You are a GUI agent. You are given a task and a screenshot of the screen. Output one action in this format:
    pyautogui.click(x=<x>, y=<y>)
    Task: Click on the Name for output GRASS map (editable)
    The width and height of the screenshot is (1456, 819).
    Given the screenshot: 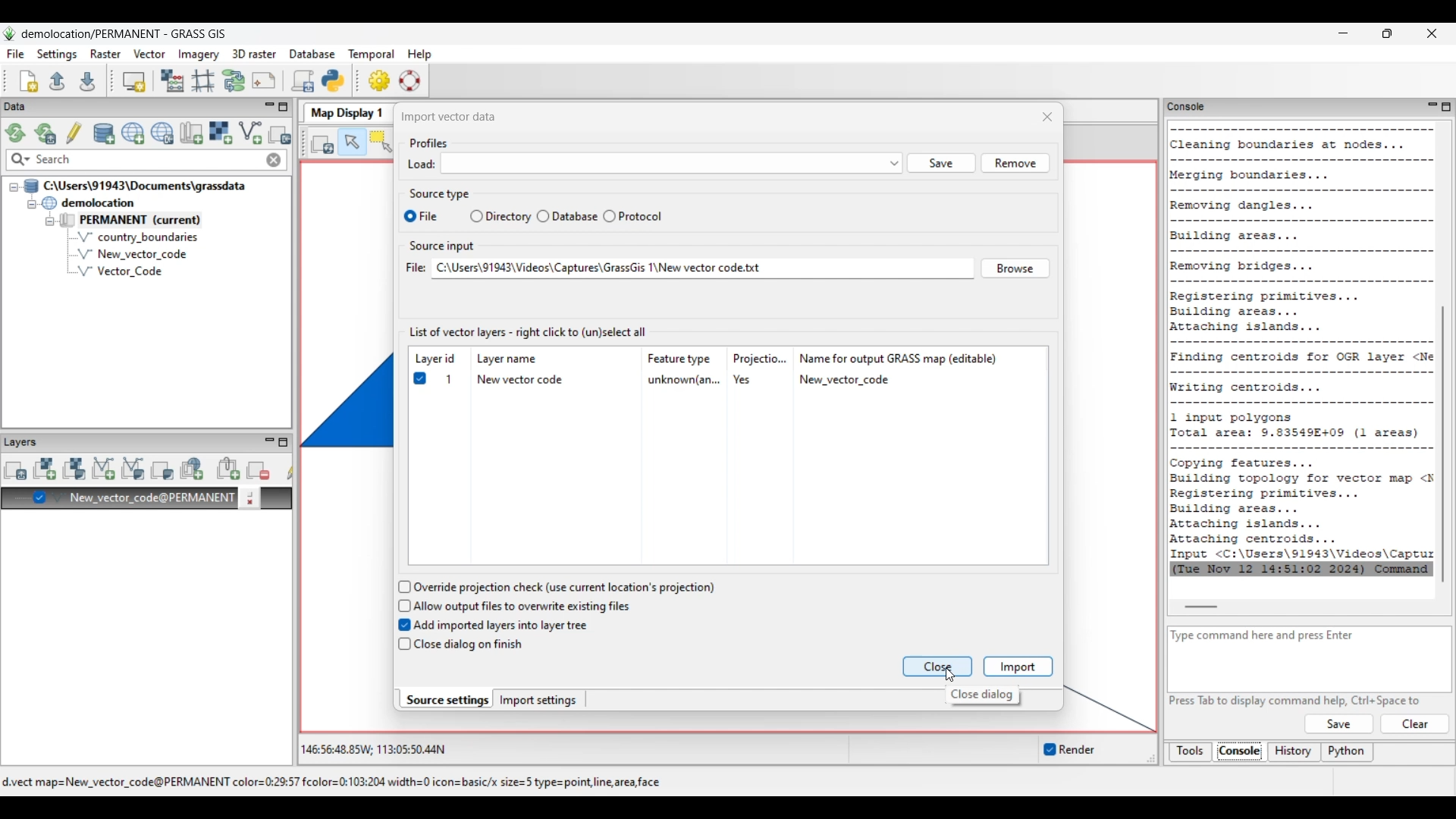 What is the action you would take?
    pyautogui.click(x=899, y=358)
    